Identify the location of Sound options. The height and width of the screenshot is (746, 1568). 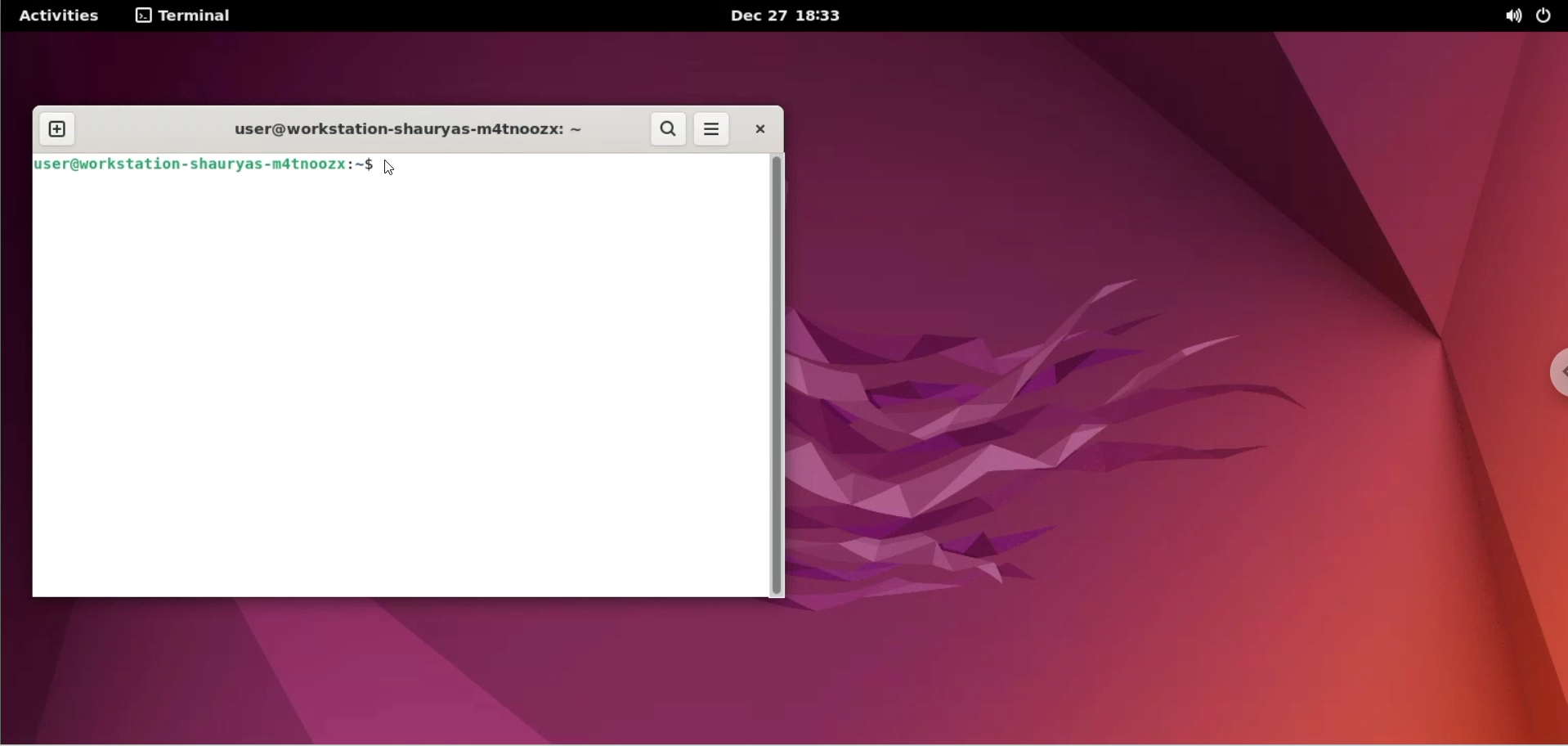
(1509, 16).